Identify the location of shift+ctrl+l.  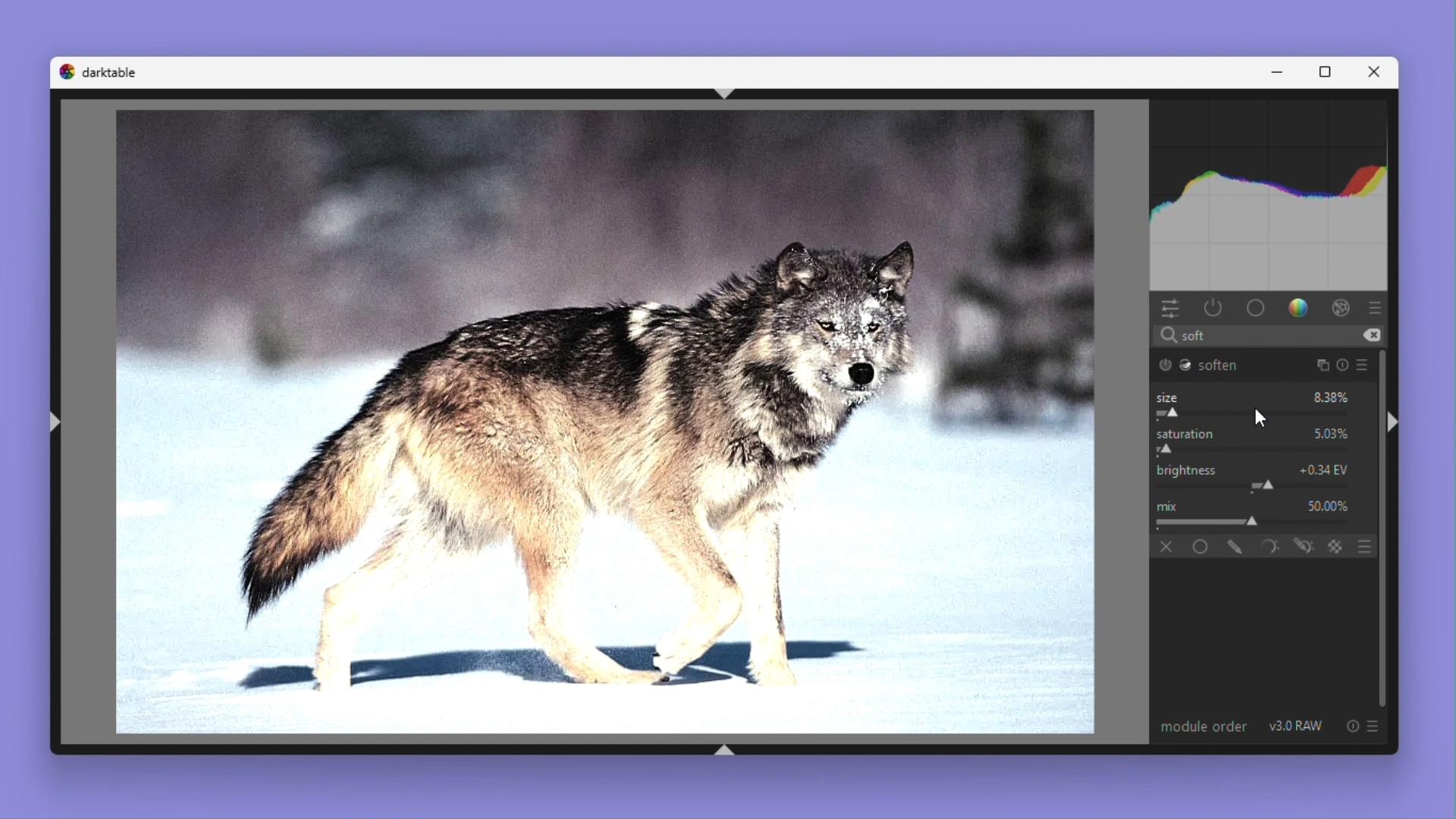
(56, 421).